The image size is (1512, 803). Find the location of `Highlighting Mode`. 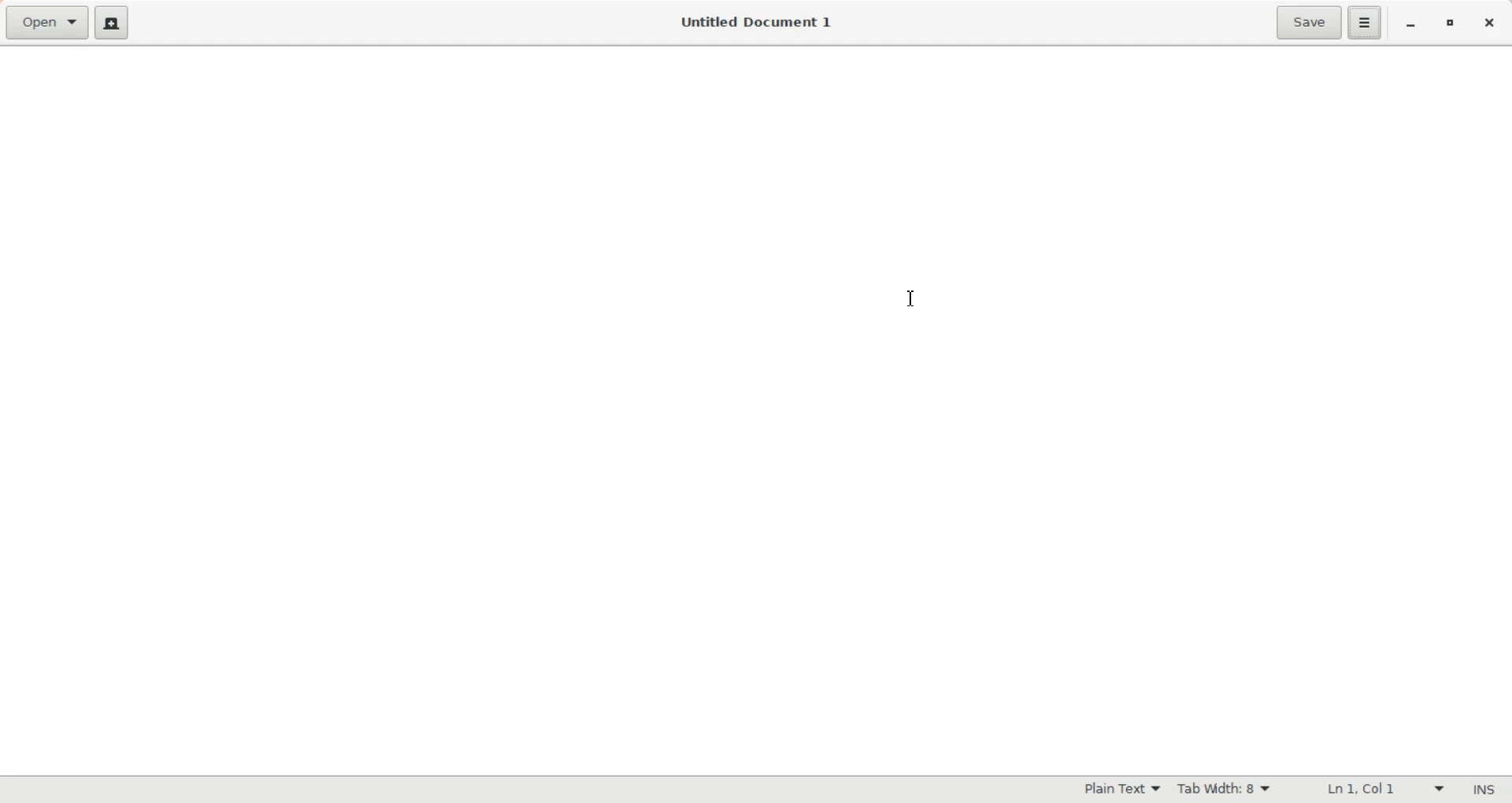

Highlighting Mode is located at coordinates (1120, 790).